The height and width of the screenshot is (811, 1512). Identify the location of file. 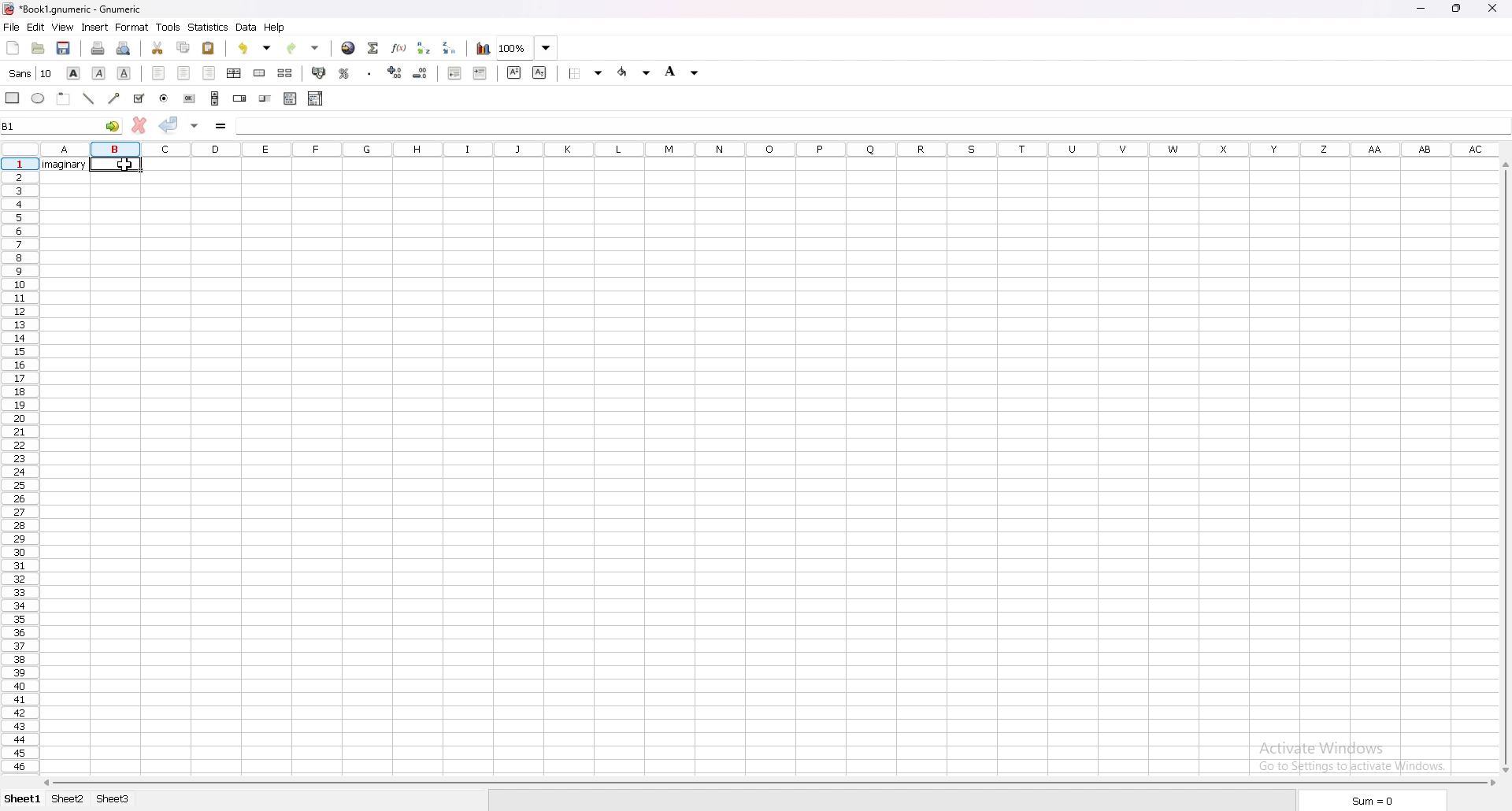
(12, 27).